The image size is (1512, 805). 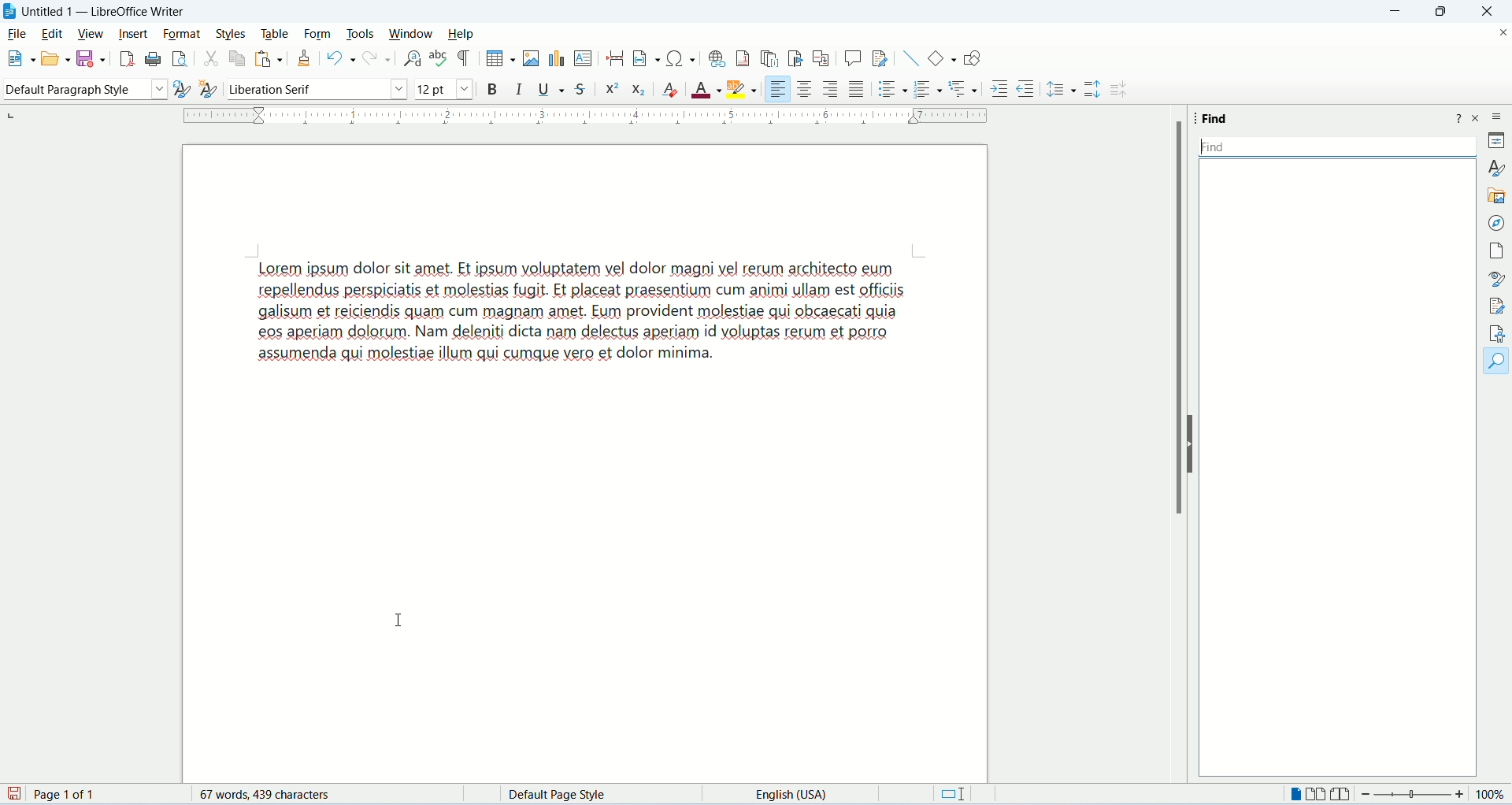 I want to click on insert field, so click(x=639, y=60).